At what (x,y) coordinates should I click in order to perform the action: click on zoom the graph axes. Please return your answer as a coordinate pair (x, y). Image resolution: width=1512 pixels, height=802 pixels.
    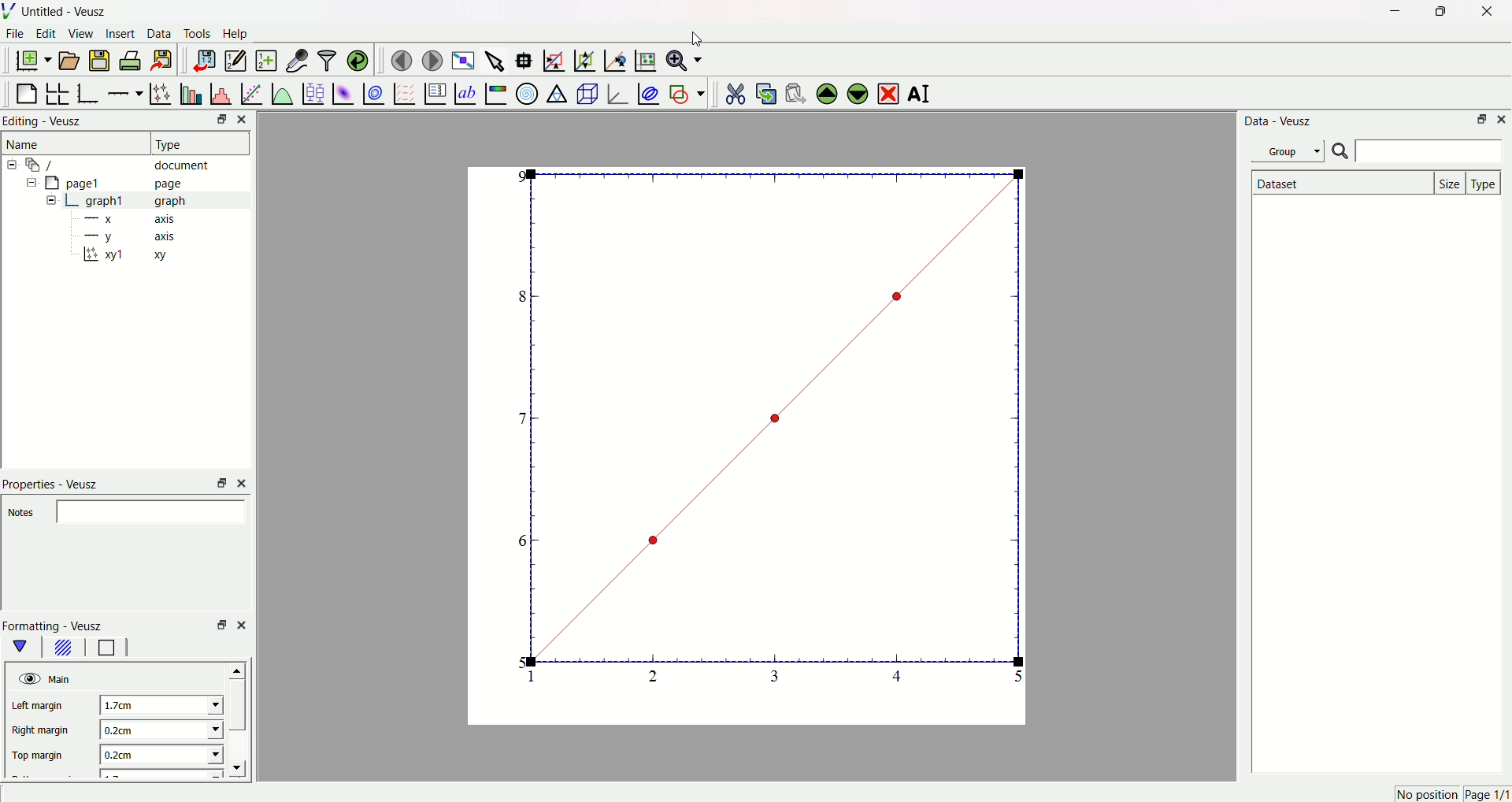
    Looking at the image, I should click on (582, 58).